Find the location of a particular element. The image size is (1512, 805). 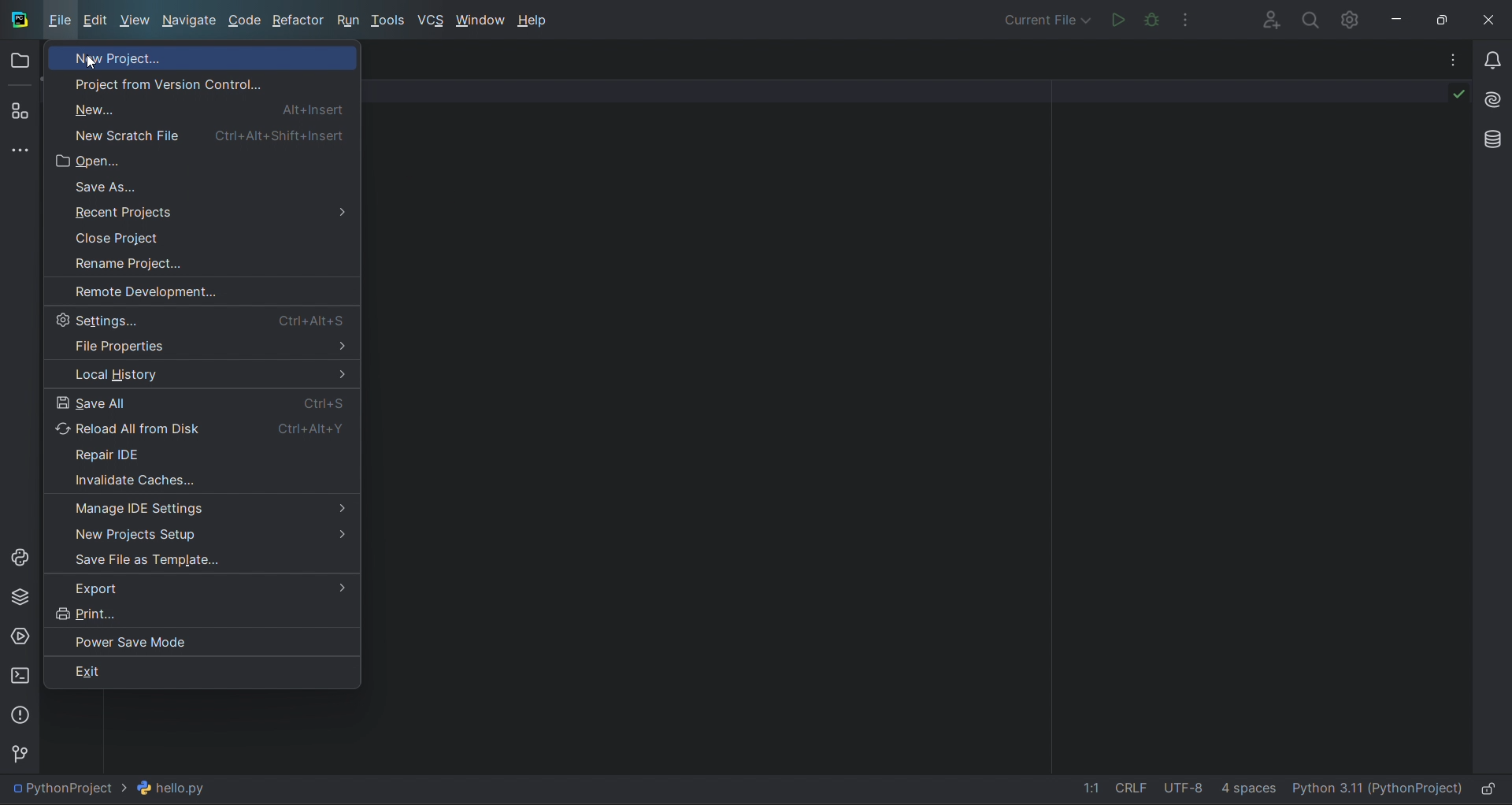

run is located at coordinates (349, 21).